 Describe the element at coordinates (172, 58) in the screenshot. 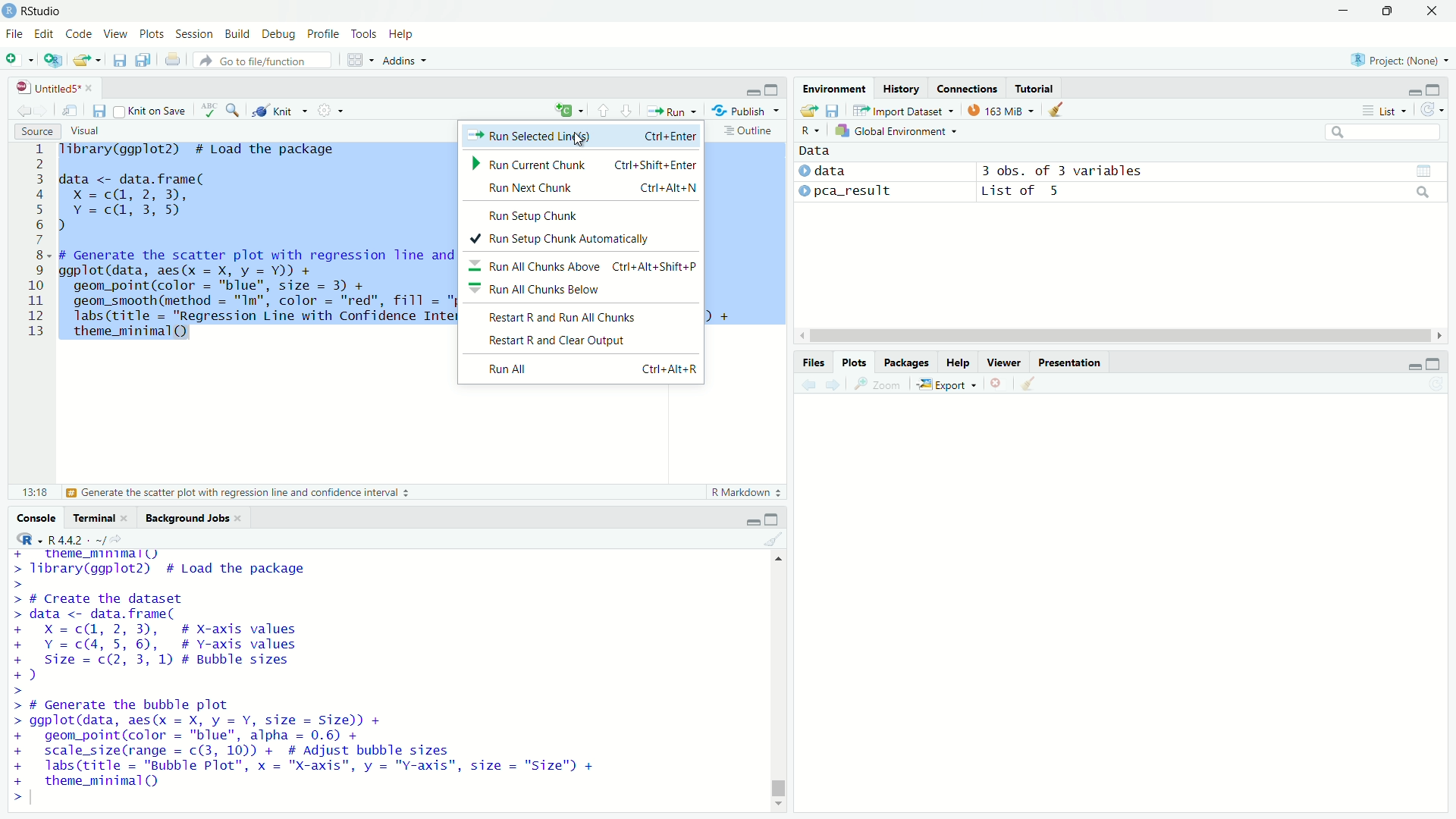

I see `Print the current file` at that location.